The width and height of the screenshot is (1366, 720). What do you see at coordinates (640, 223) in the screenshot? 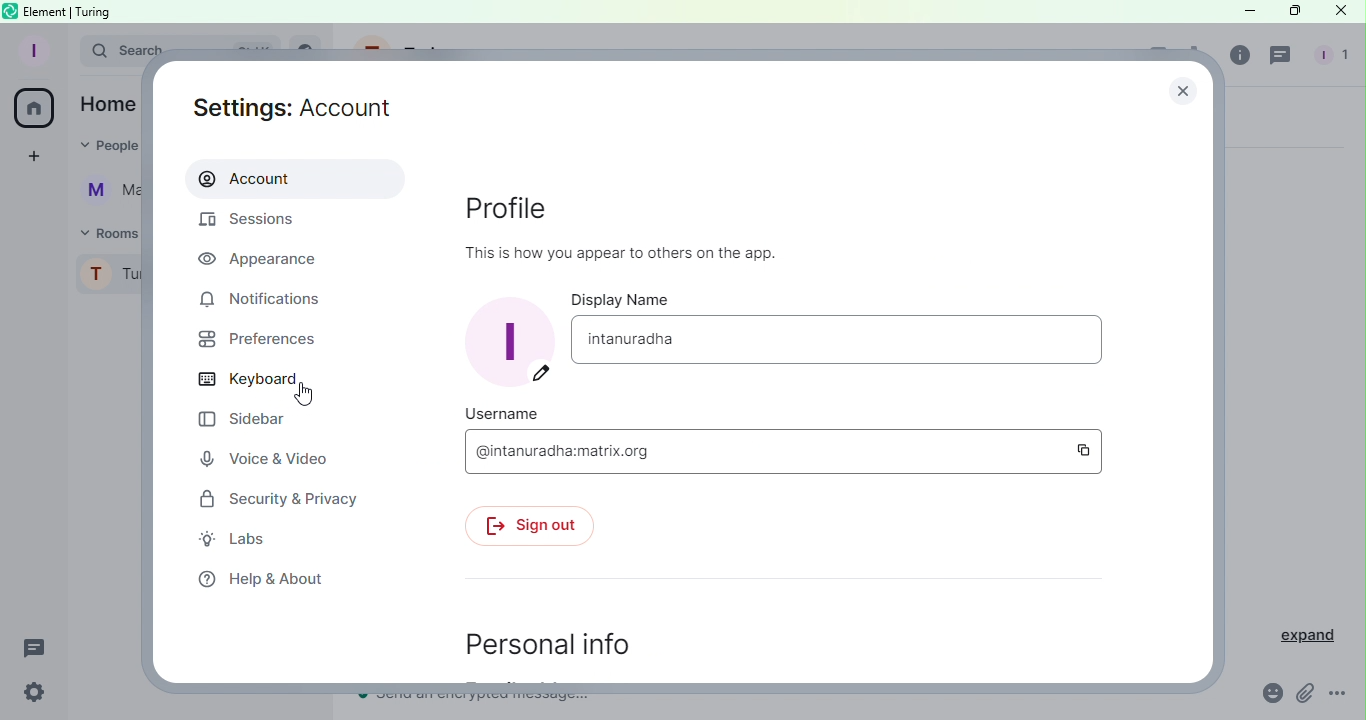
I see `Profile` at bounding box center [640, 223].